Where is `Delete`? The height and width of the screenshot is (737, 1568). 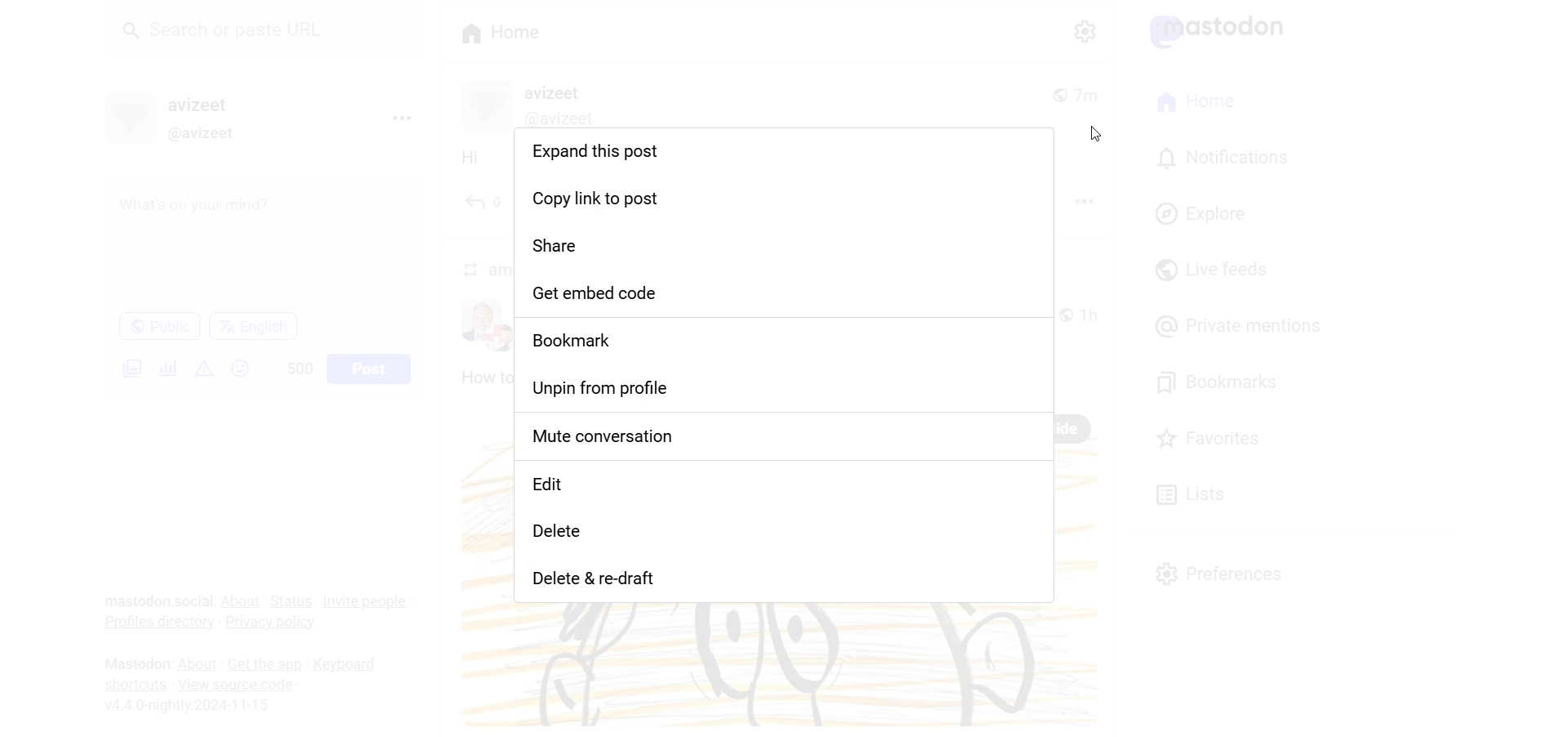 Delete is located at coordinates (786, 539).